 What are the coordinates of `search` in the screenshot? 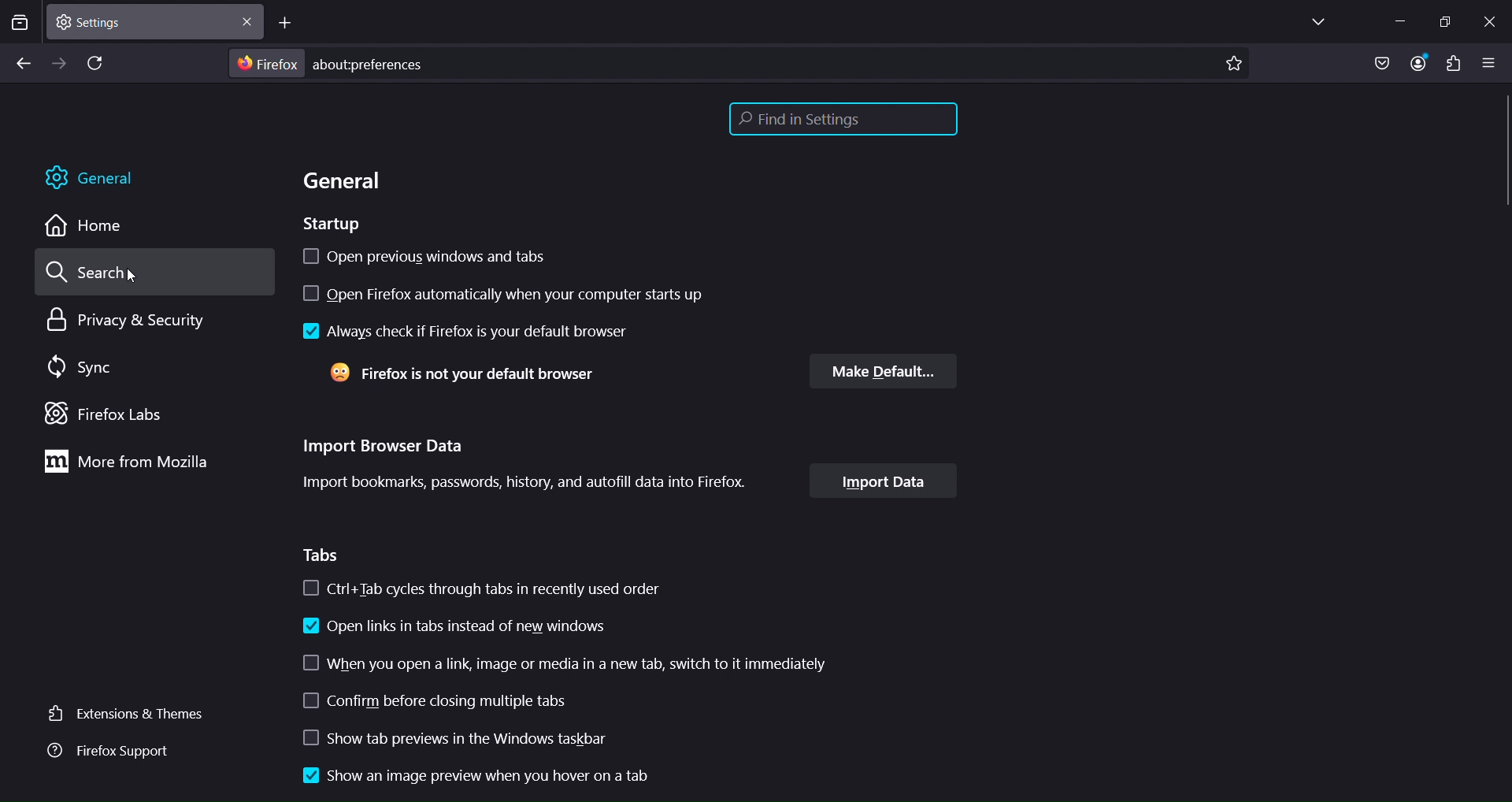 It's located at (91, 274).